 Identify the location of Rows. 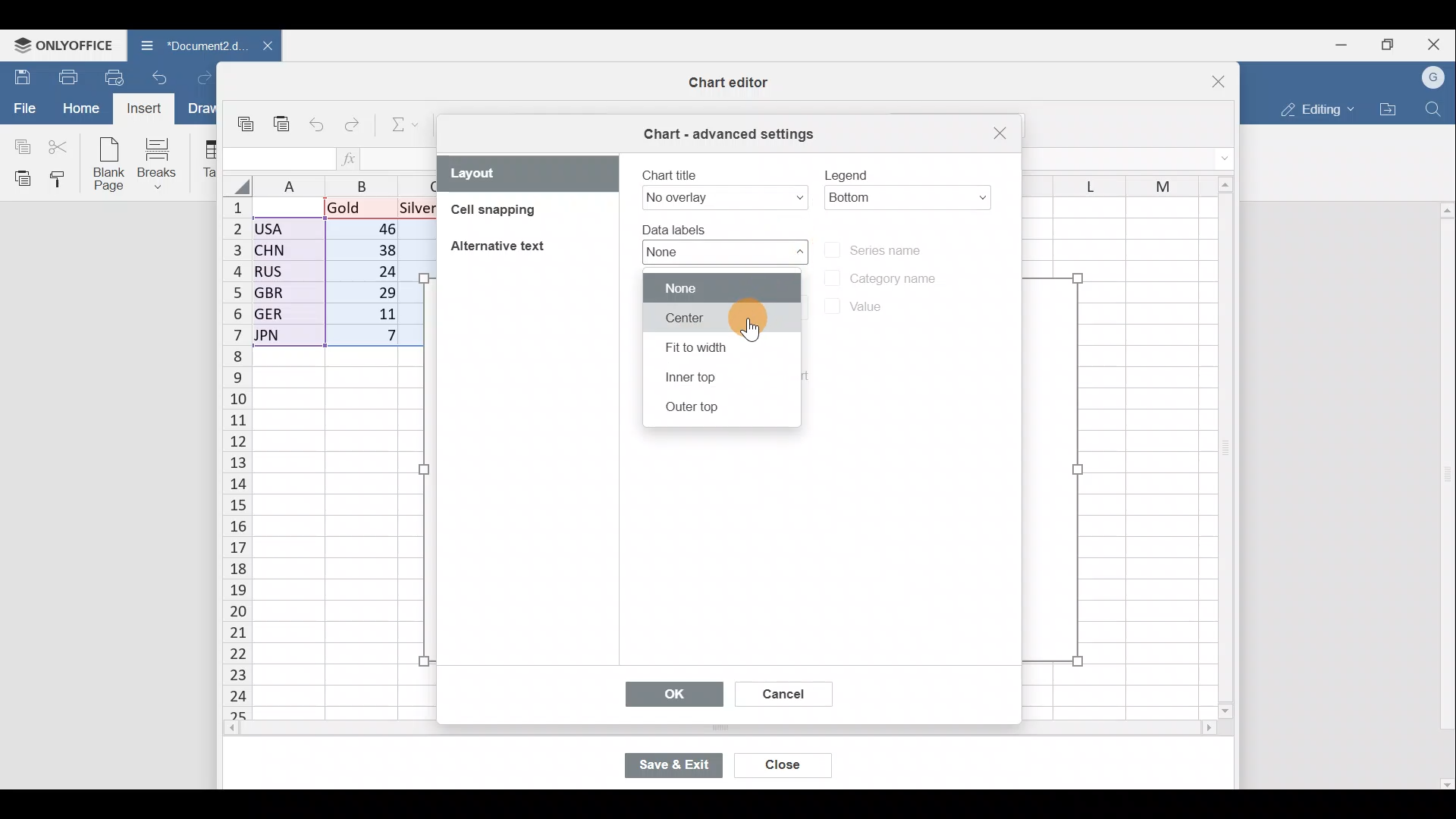
(237, 449).